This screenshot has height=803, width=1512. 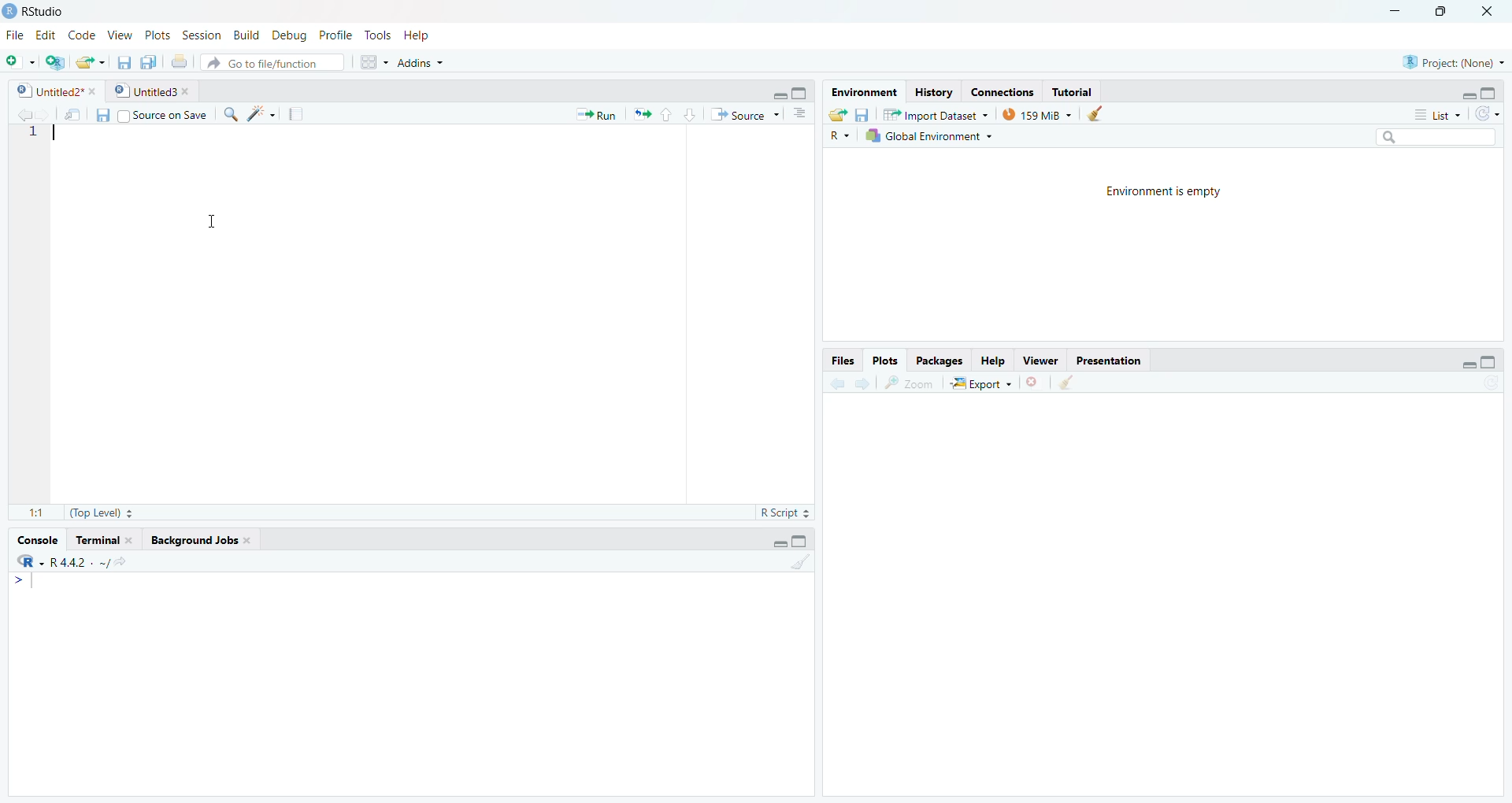 What do you see at coordinates (1039, 113) in the screenshot?
I see `159 MiB` at bounding box center [1039, 113].